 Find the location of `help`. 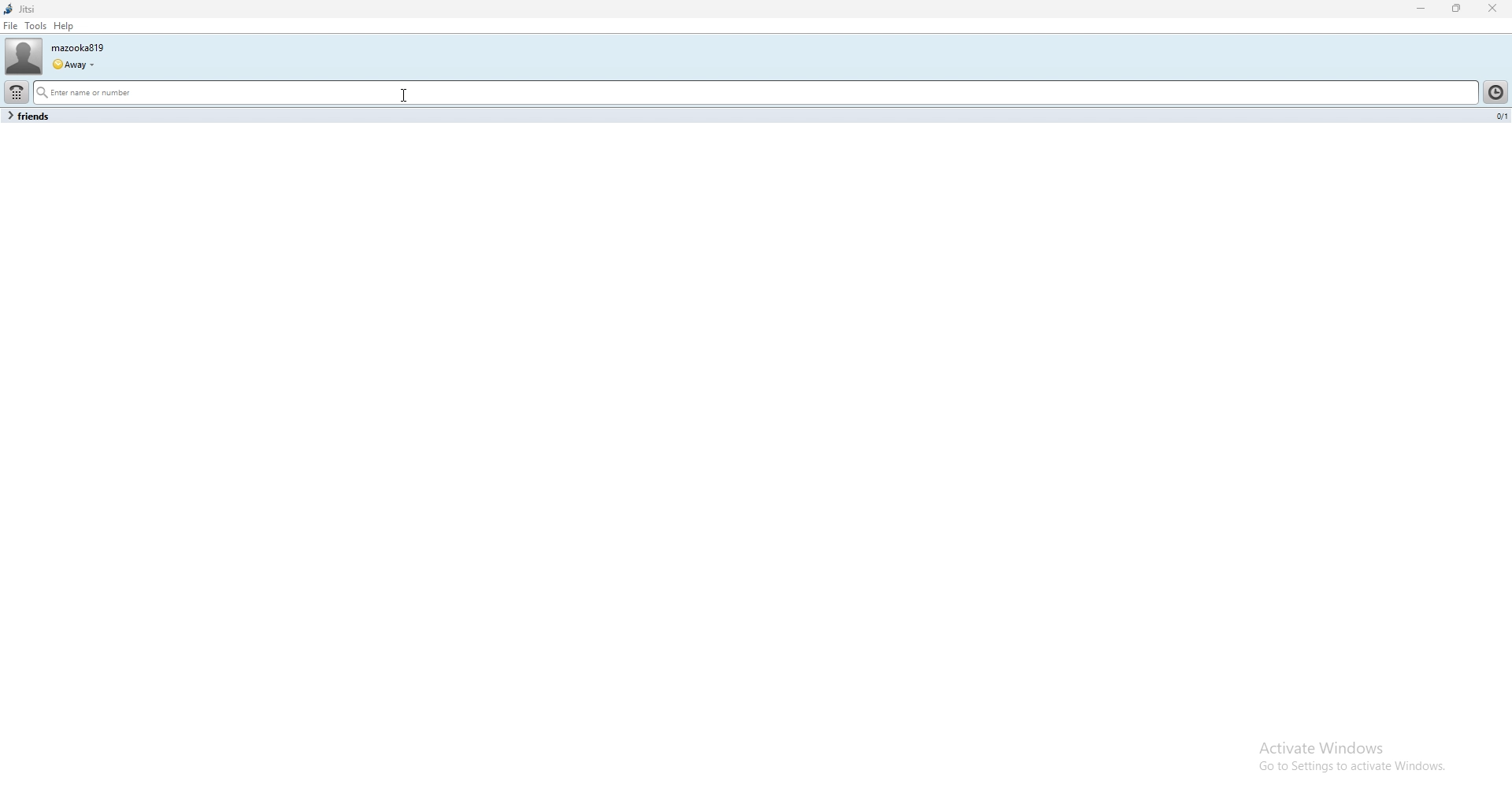

help is located at coordinates (64, 26).